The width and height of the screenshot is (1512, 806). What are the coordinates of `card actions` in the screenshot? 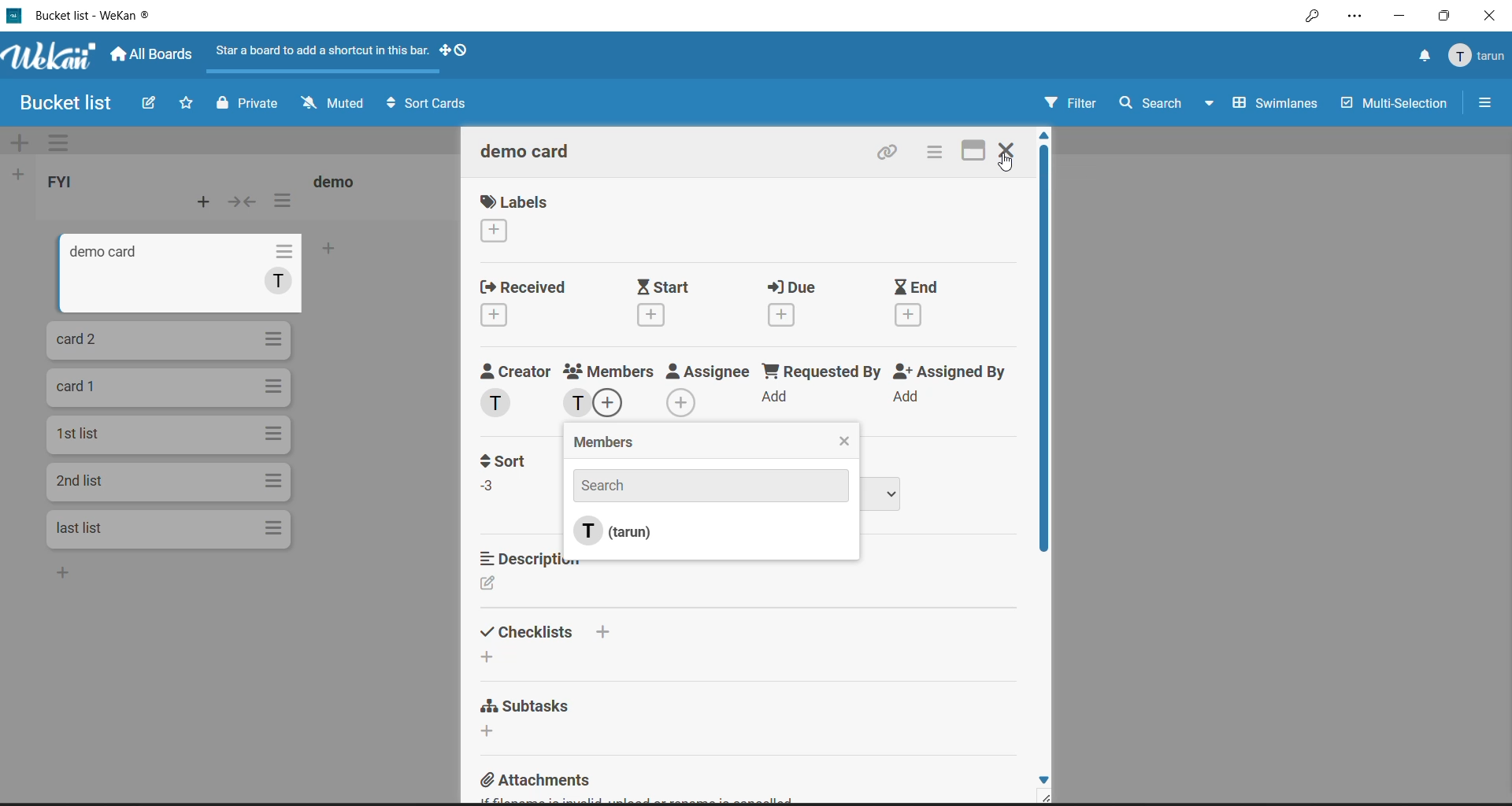 It's located at (276, 435).